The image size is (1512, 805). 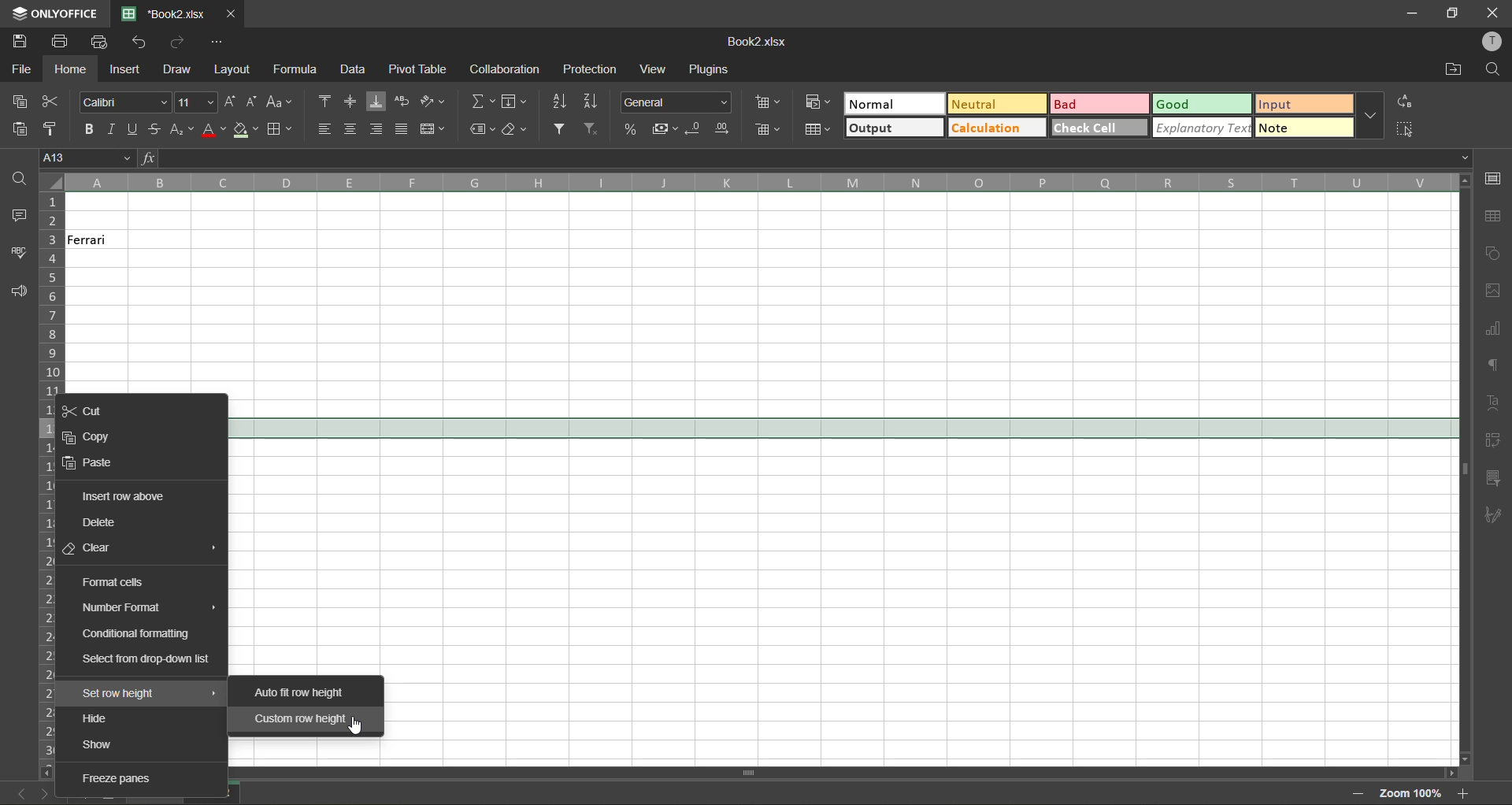 I want to click on signature, so click(x=1496, y=514).